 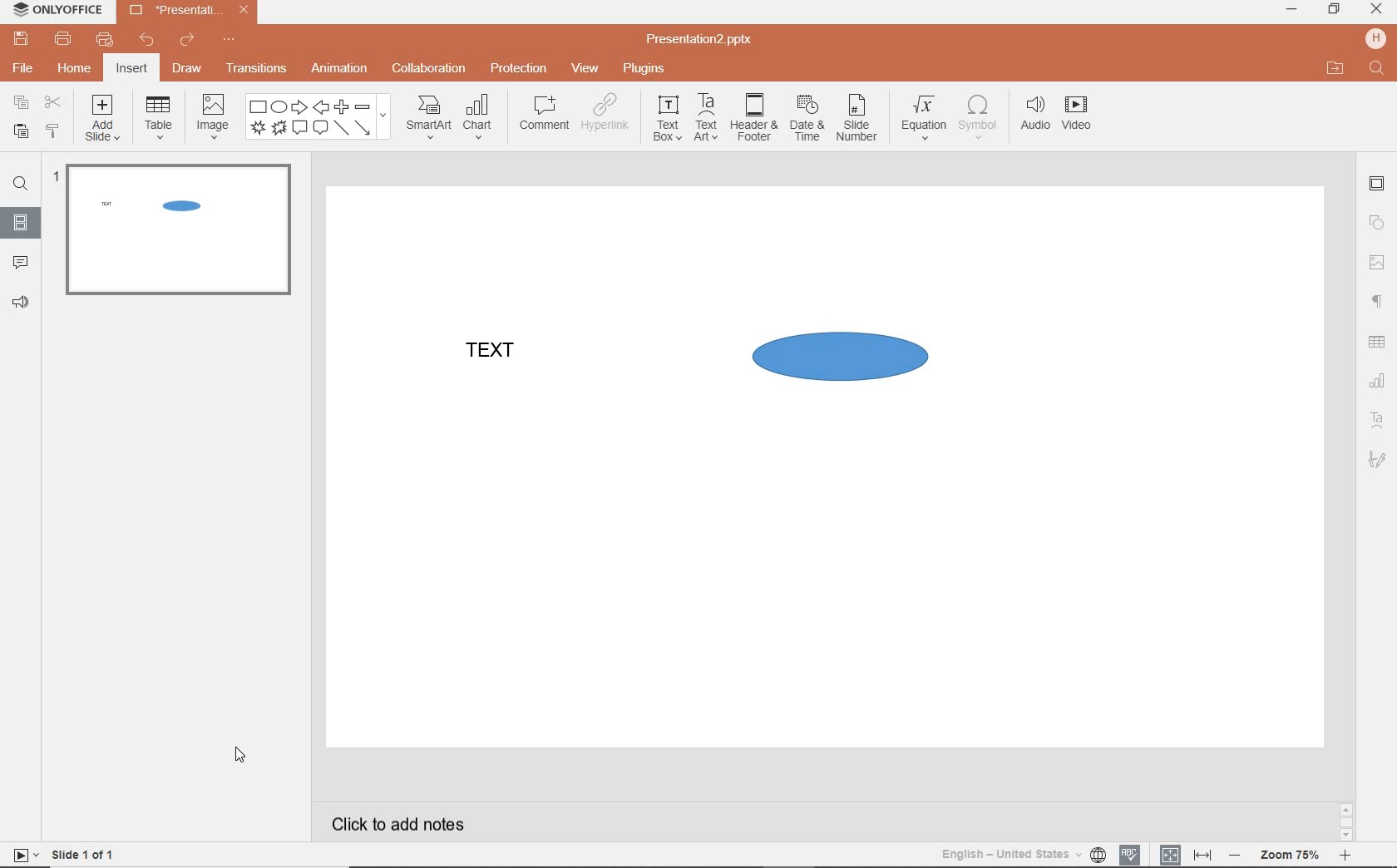 What do you see at coordinates (1377, 262) in the screenshot?
I see `IMAGE SETTINGS` at bounding box center [1377, 262].